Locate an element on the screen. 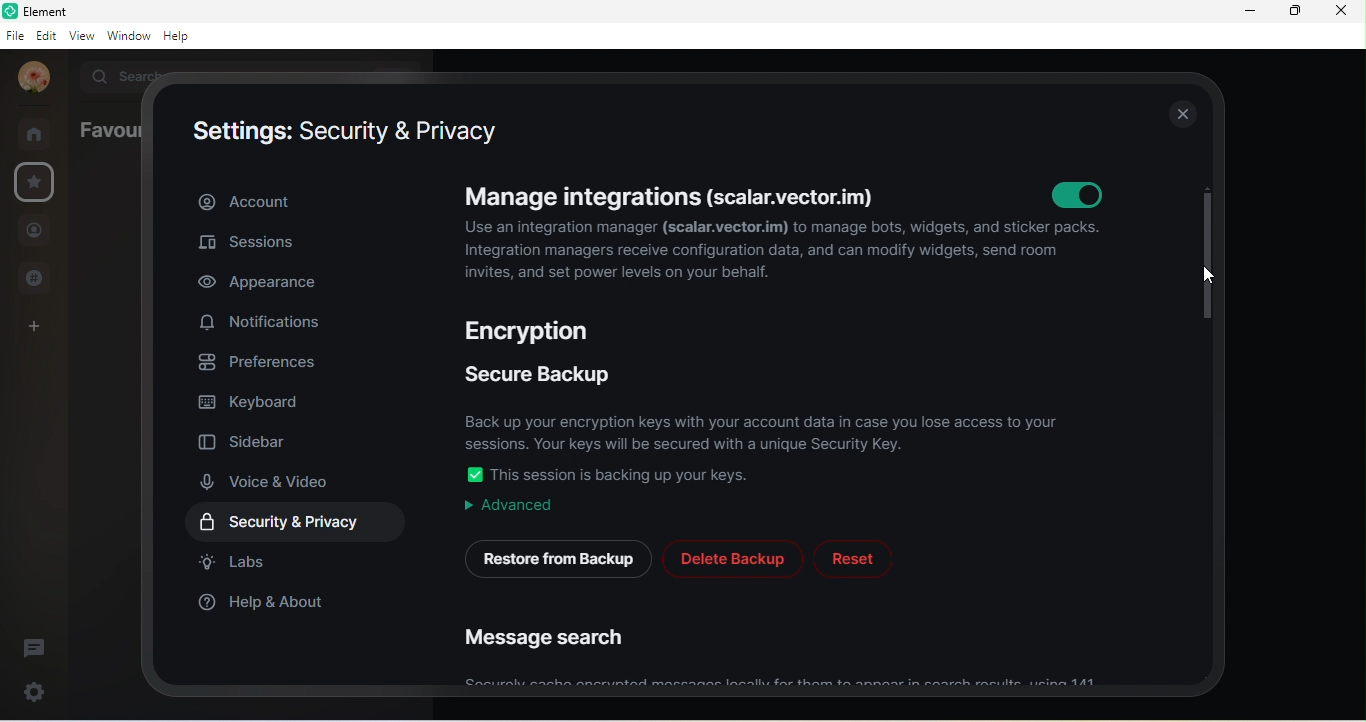 Image resolution: width=1366 pixels, height=722 pixels. close is located at coordinates (1341, 13).